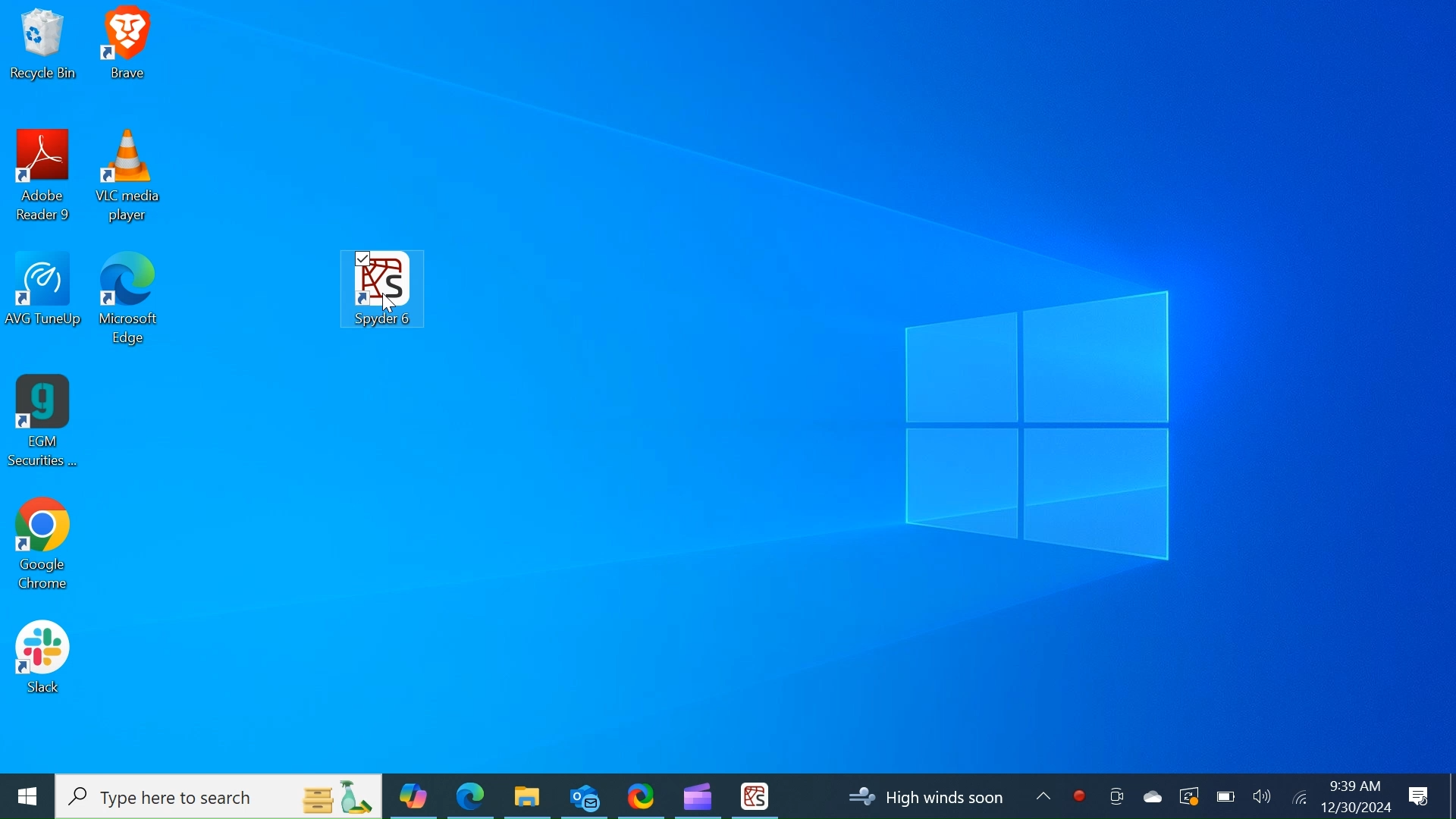 The width and height of the screenshot is (1456, 819). What do you see at coordinates (470, 795) in the screenshot?
I see `Microsoft Edge` at bounding box center [470, 795].